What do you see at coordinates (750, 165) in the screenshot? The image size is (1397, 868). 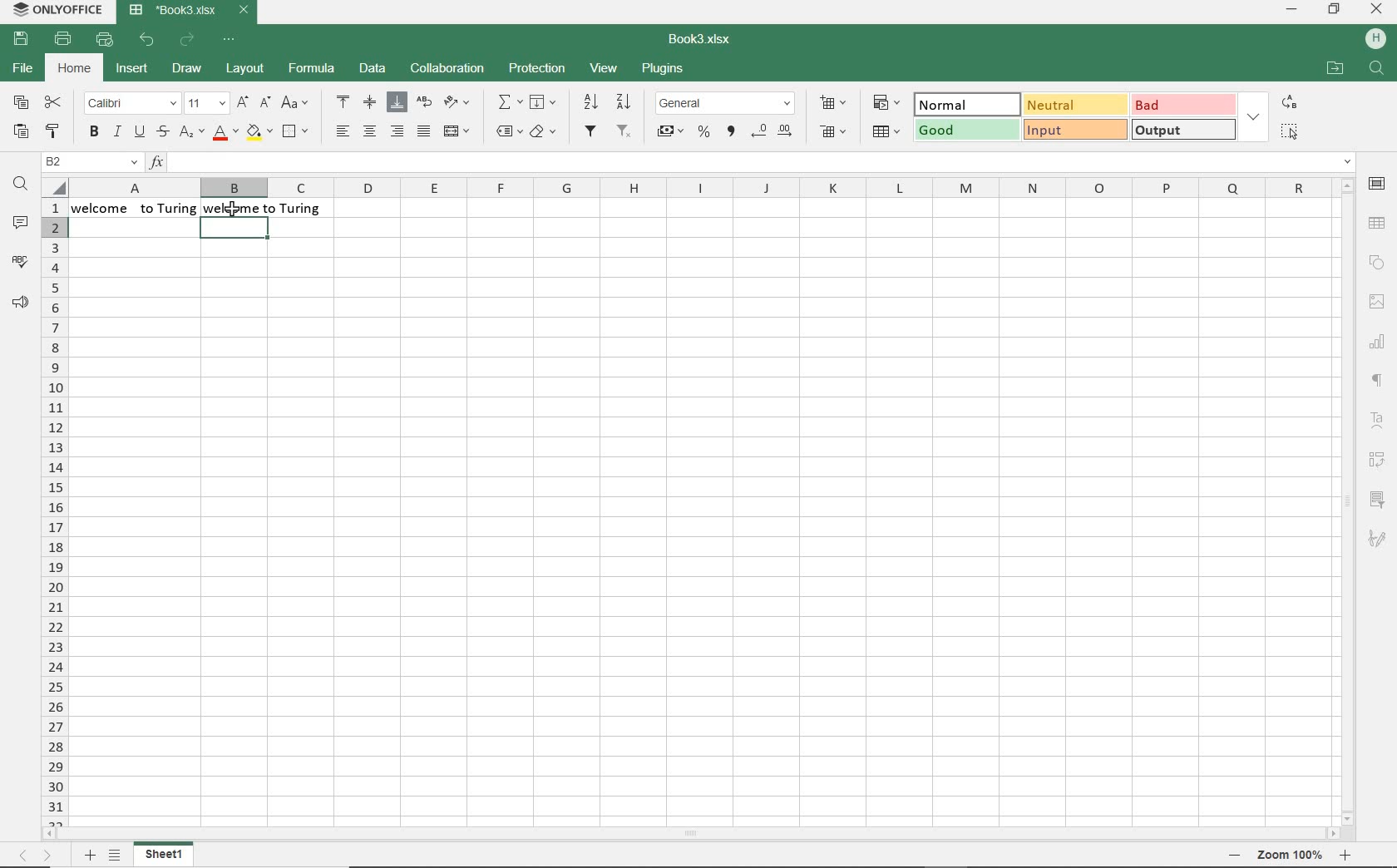 I see `Insert function` at bounding box center [750, 165].